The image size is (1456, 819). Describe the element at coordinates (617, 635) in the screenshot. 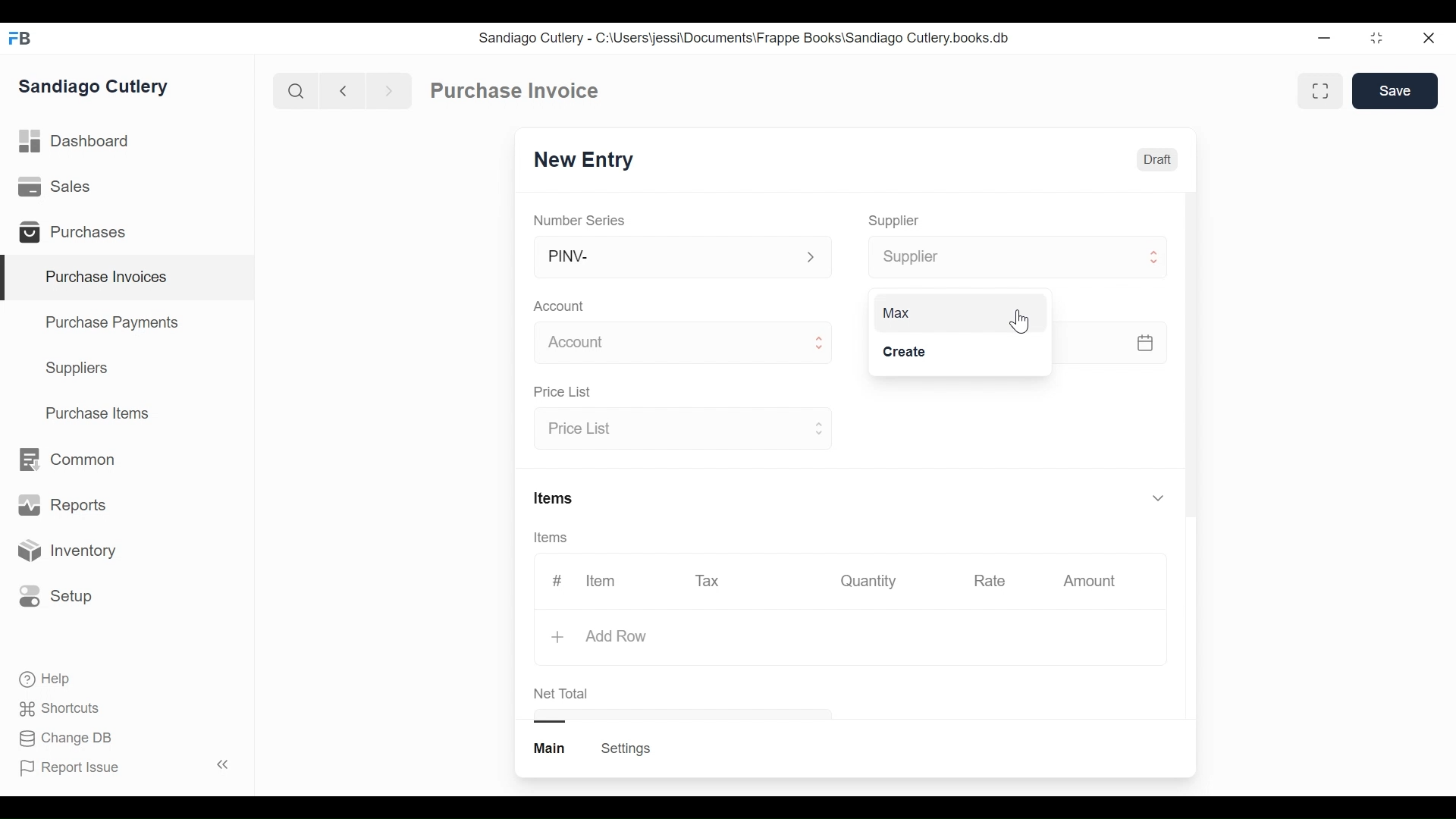

I see `Add Row` at that location.